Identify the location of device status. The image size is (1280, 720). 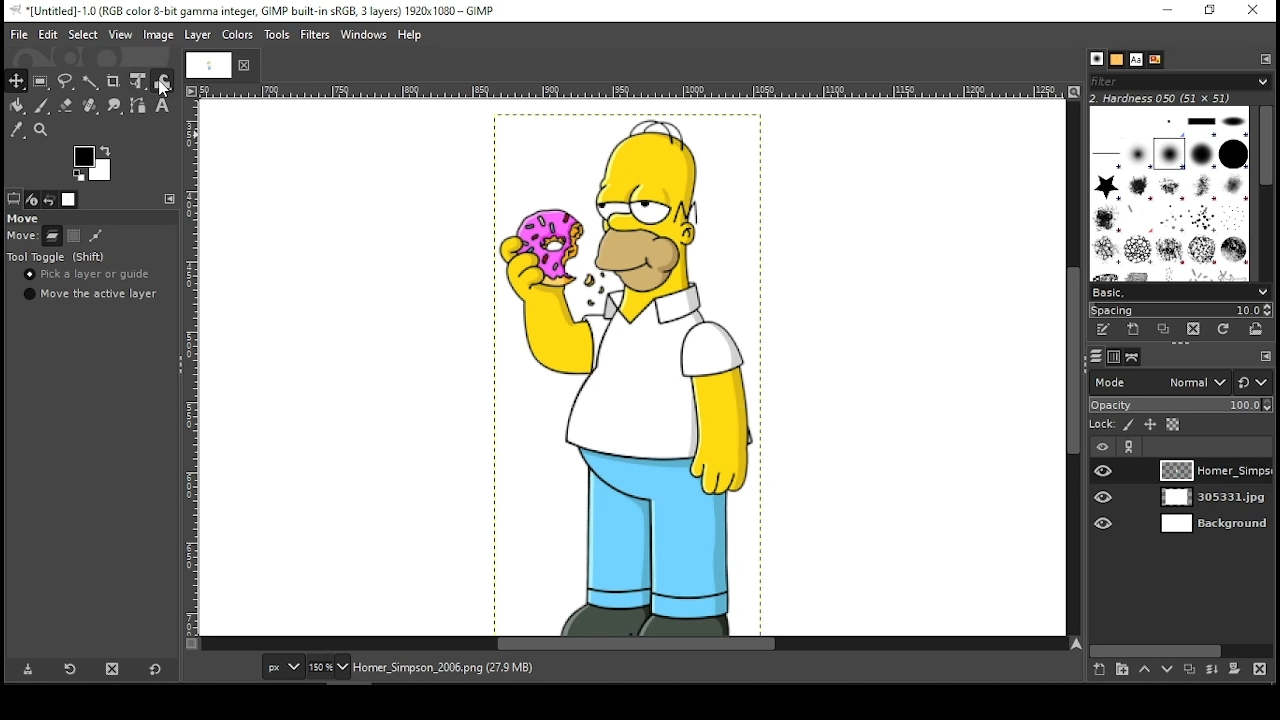
(33, 200).